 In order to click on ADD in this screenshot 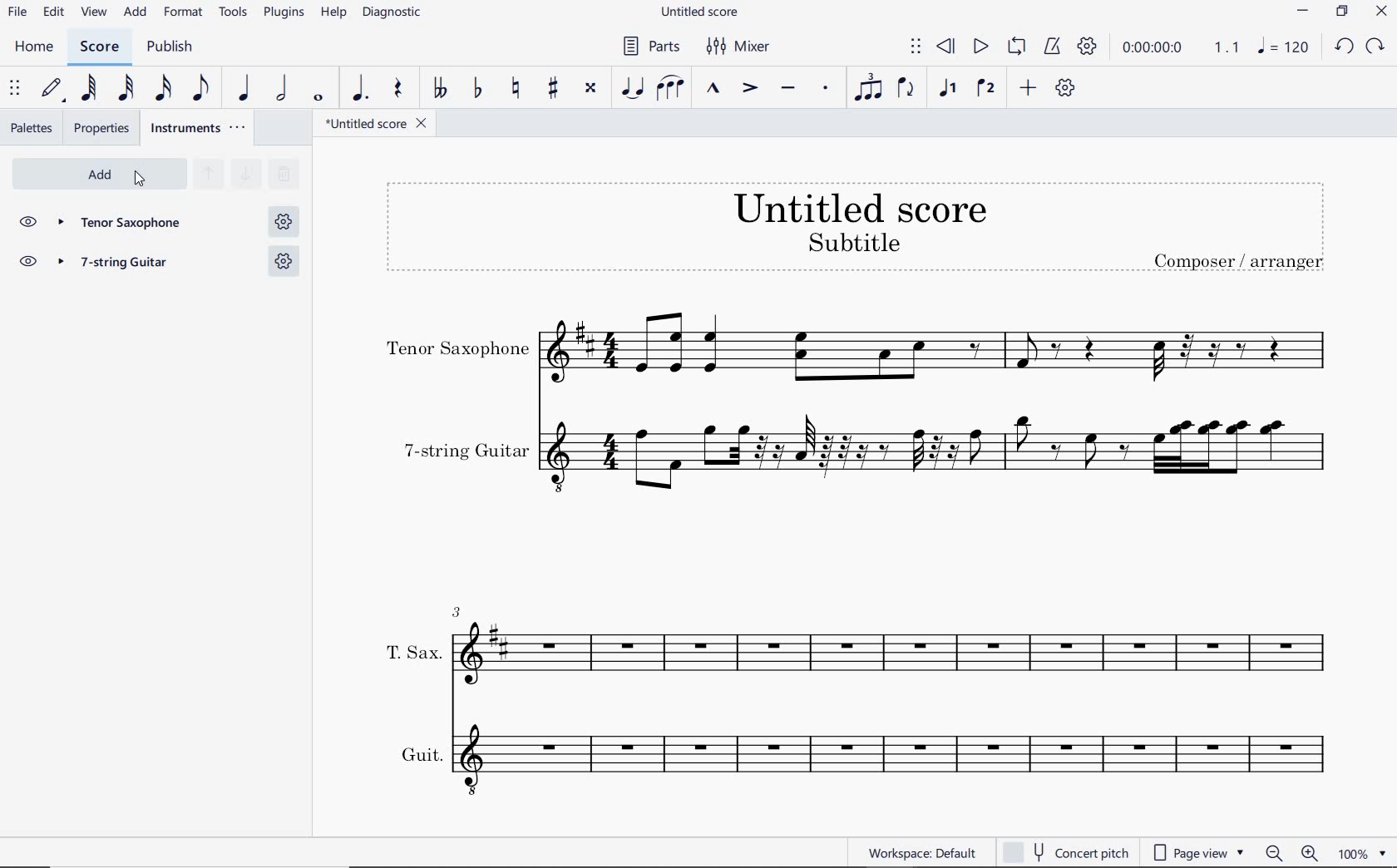, I will do `click(136, 13)`.